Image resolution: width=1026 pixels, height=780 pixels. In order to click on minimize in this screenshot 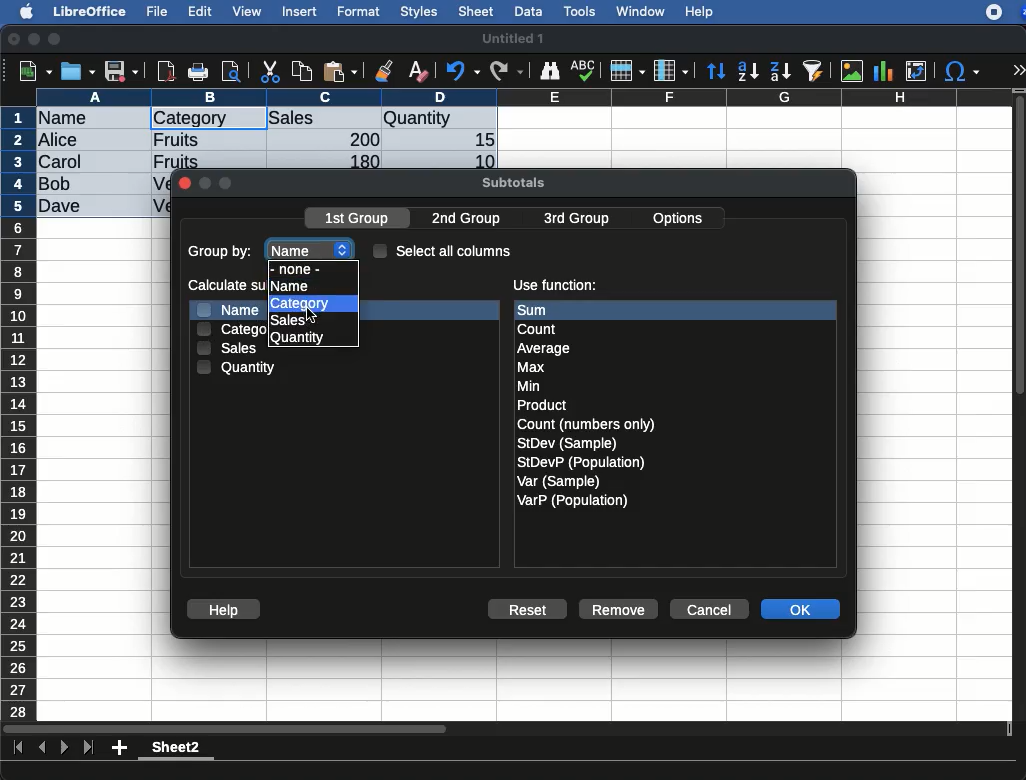, I will do `click(35, 39)`.